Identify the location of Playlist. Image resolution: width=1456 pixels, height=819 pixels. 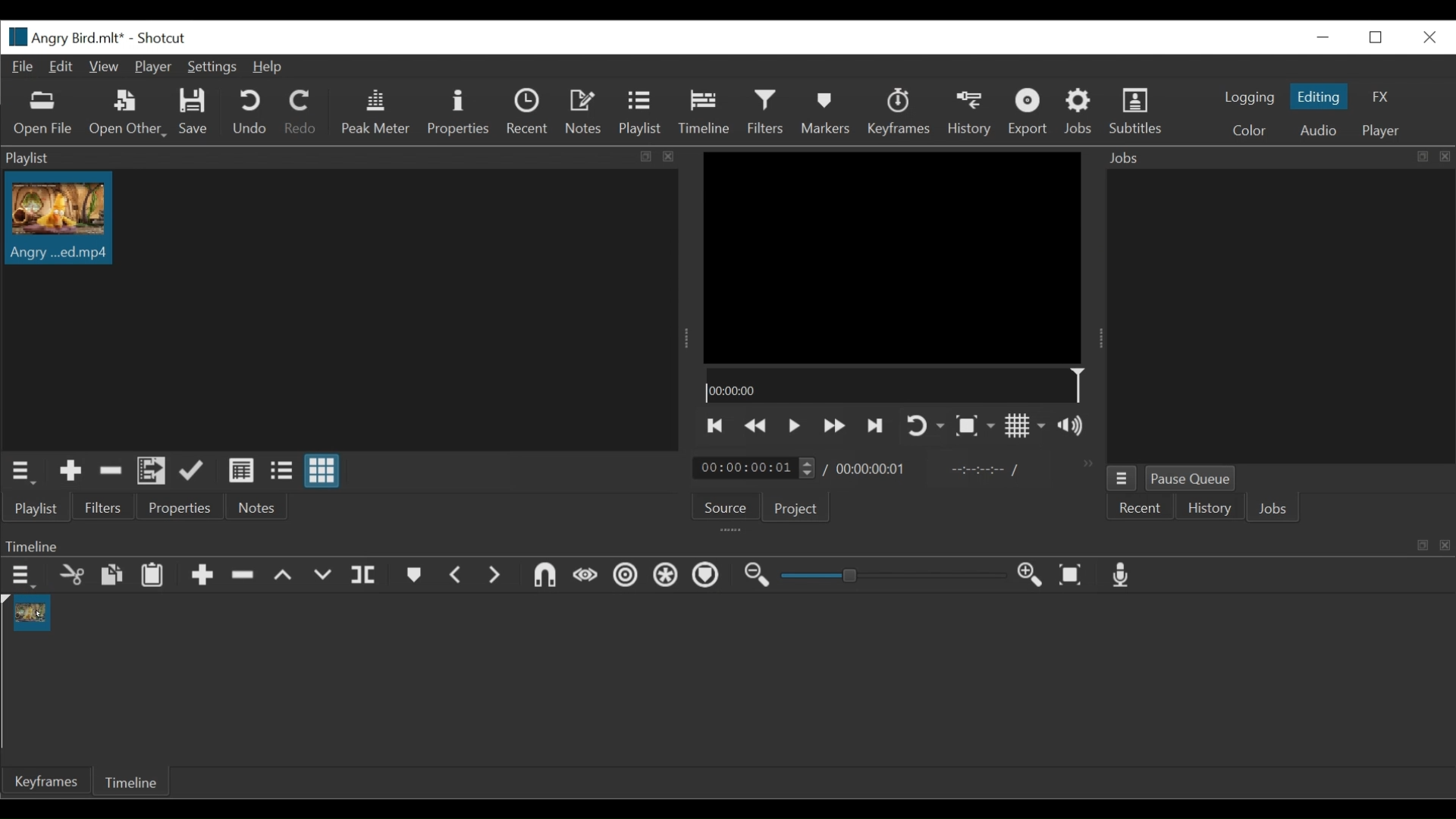
(44, 507).